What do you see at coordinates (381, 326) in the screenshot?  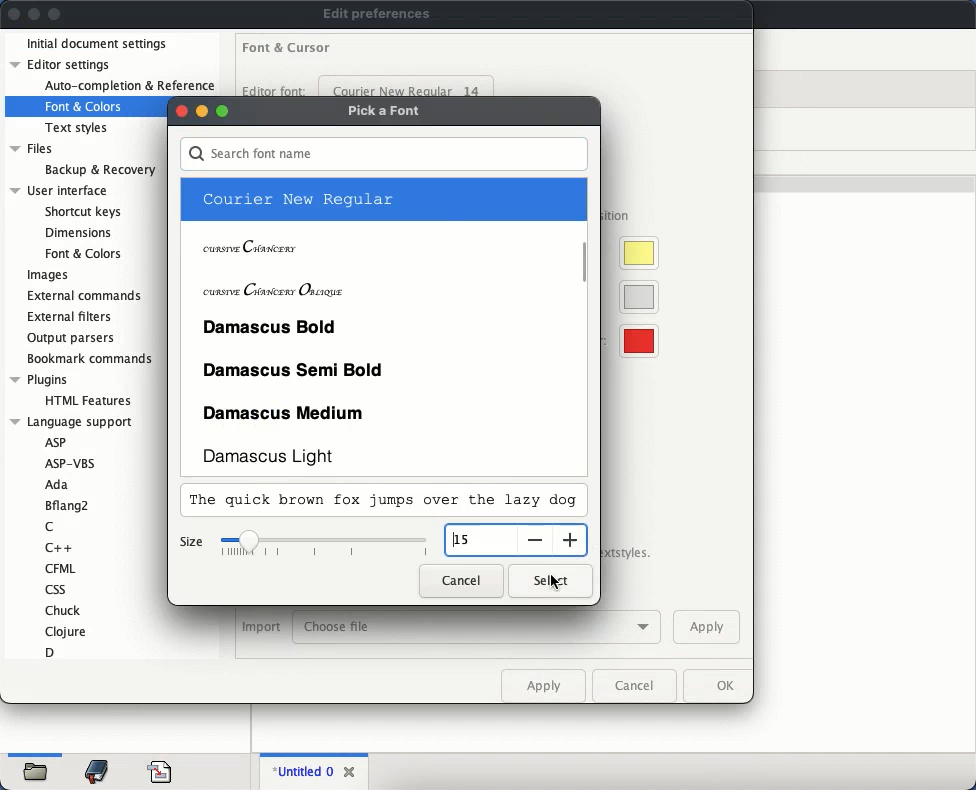 I see `damascus bold` at bounding box center [381, 326].